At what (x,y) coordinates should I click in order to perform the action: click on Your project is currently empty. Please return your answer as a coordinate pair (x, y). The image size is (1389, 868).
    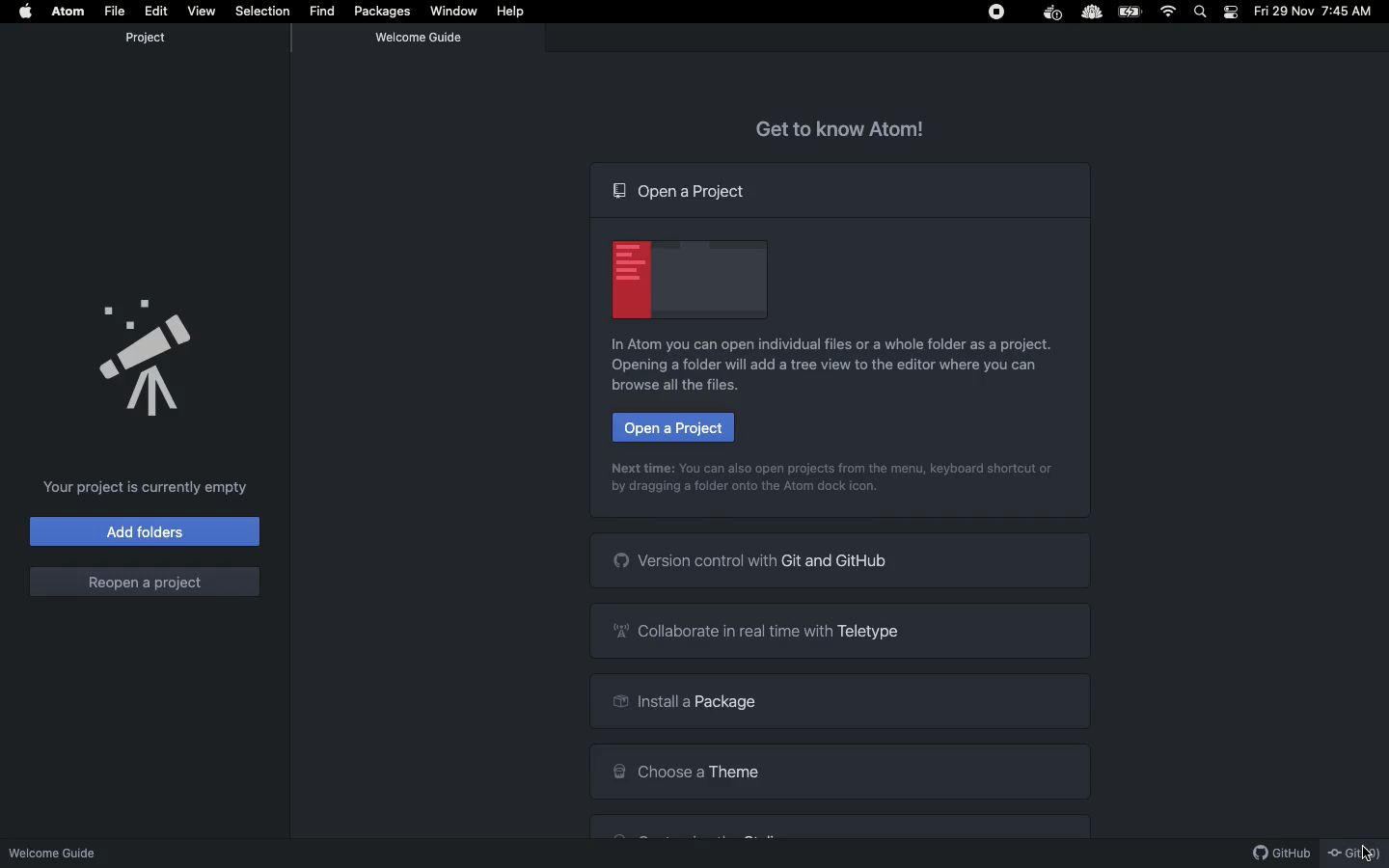
    Looking at the image, I should click on (148, 488).